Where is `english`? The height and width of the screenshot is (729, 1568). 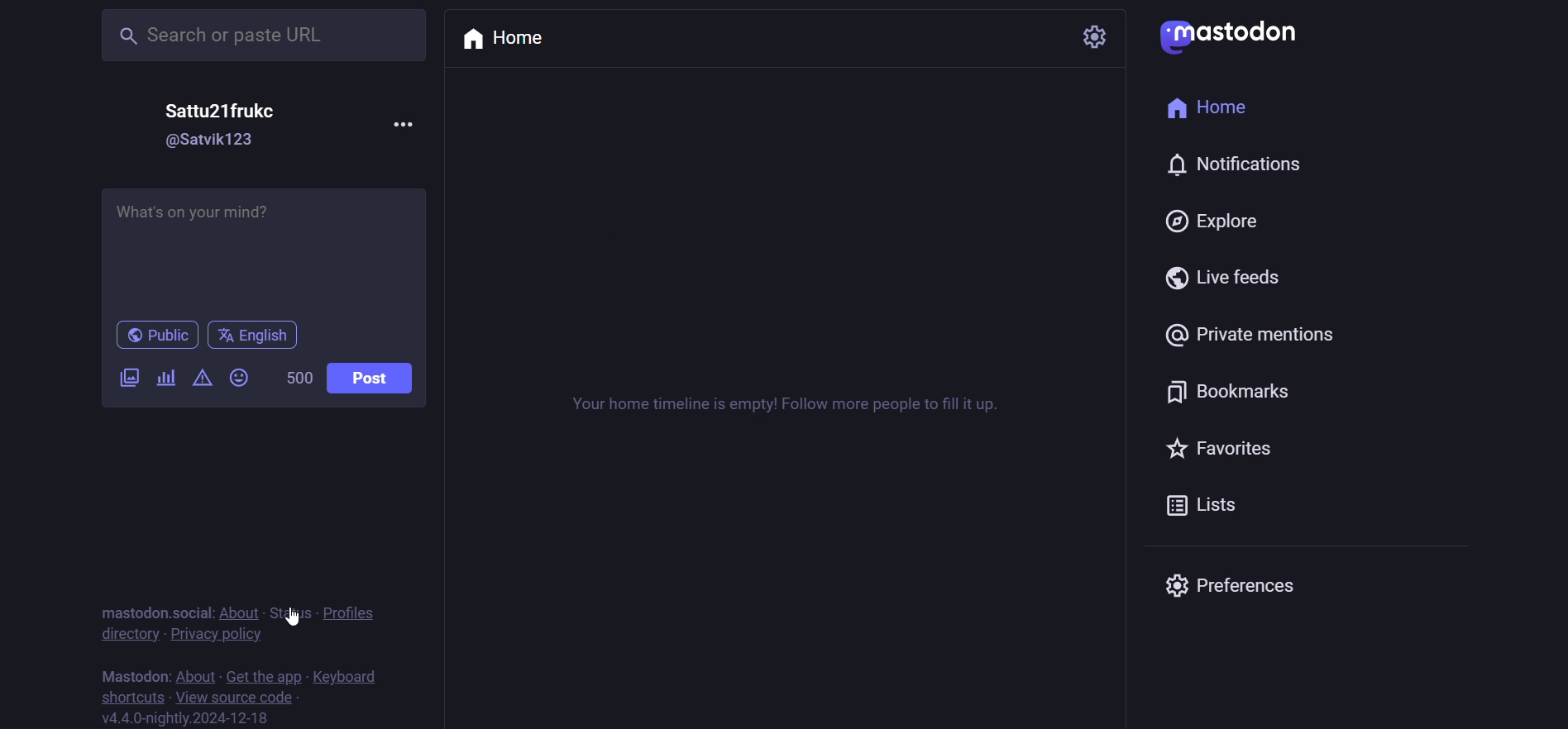 english is located at coordinates (256, 336).